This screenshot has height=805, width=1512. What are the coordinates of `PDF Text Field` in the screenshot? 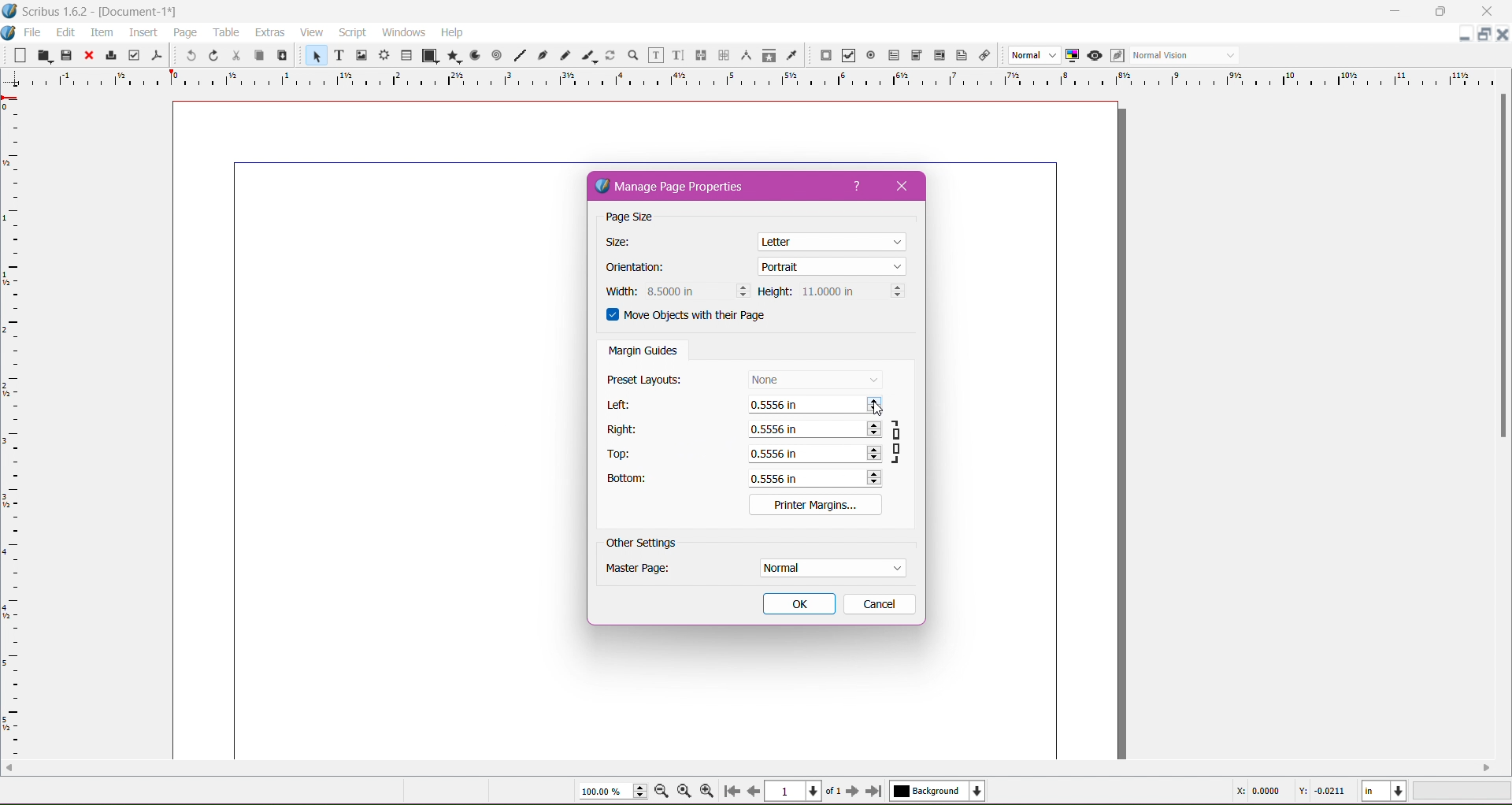 It's located at (894, 56).